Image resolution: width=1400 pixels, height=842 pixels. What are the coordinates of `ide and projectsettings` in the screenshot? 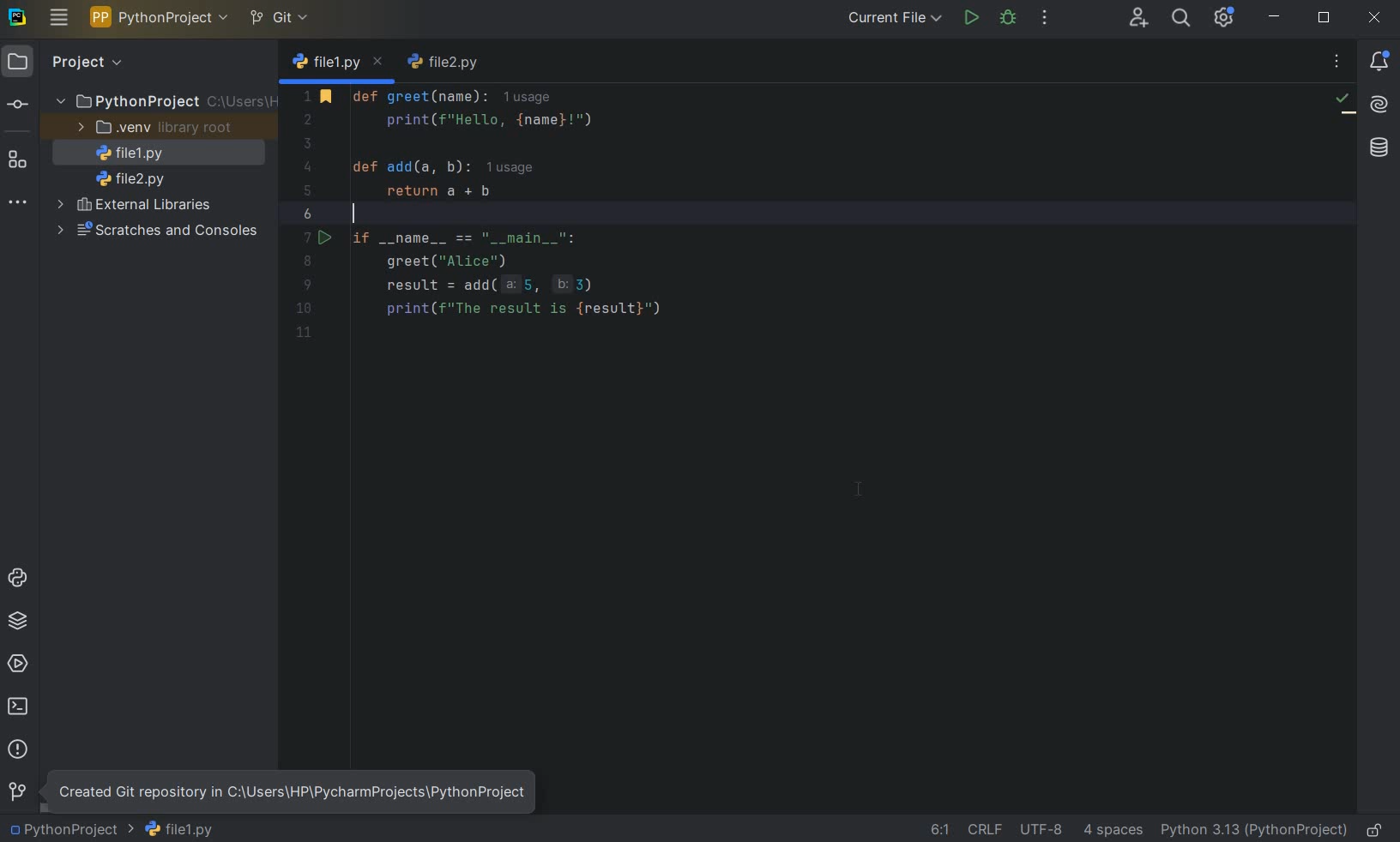 It's located at (1223, 18).